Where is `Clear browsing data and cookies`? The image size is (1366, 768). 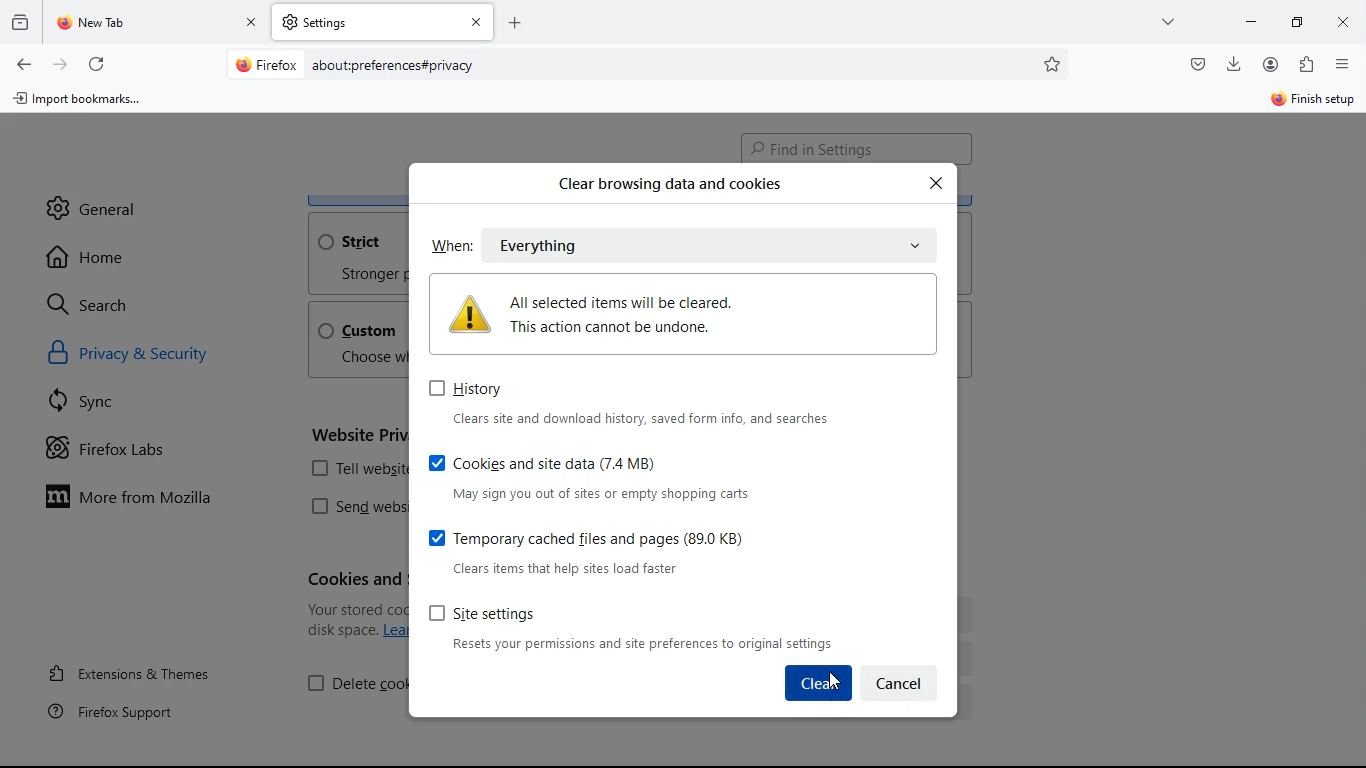 Clear browsing data and cookies is located at coordinates (666, 185).